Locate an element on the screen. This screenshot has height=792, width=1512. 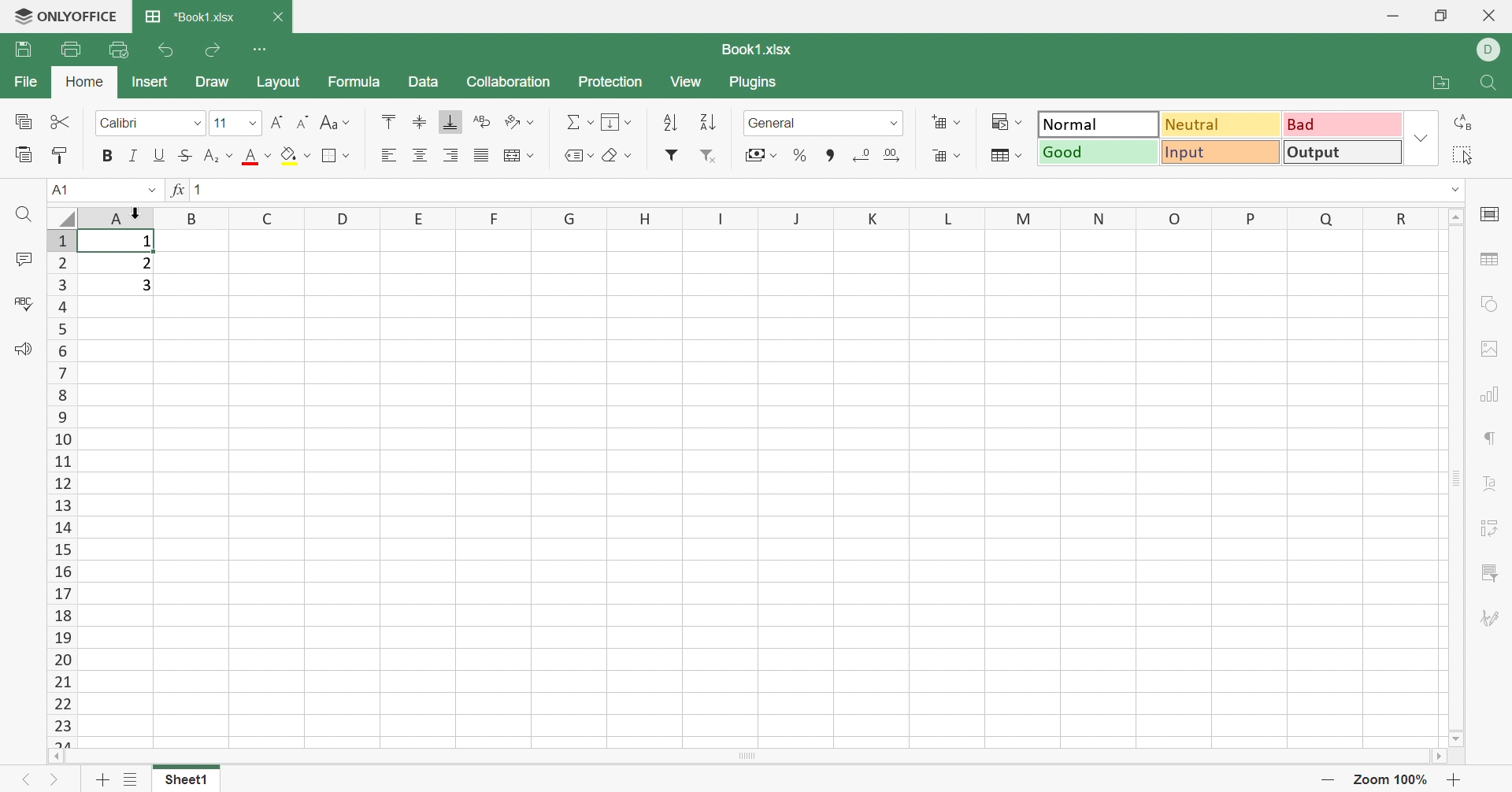
Customize Quick Access Toolbar is located at coordinates (263, 49).